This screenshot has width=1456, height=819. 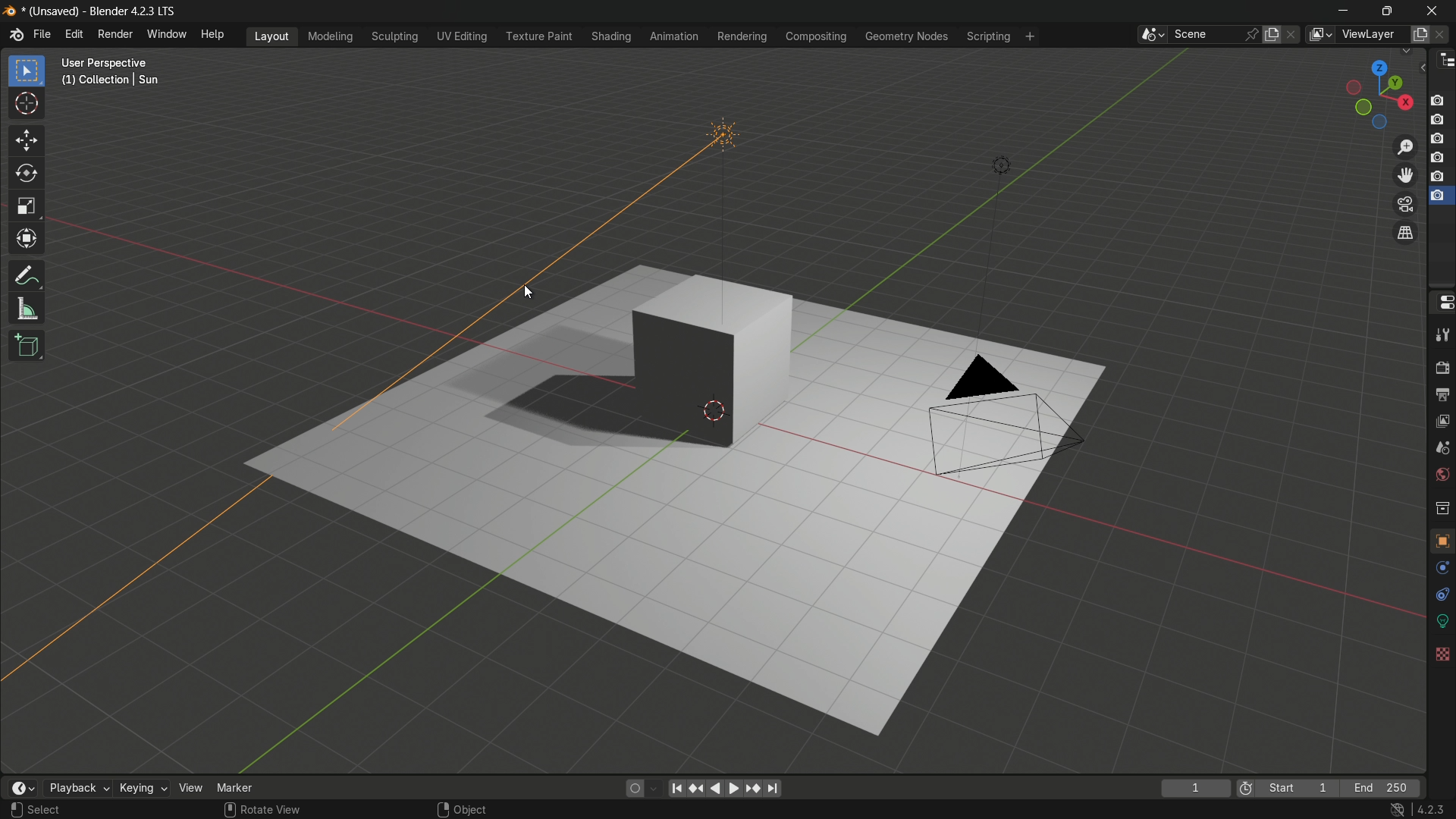 What do you see at coordinates (1405, 174) in the screenshot?
I see `move the view` at bounding box center [1405, 174].